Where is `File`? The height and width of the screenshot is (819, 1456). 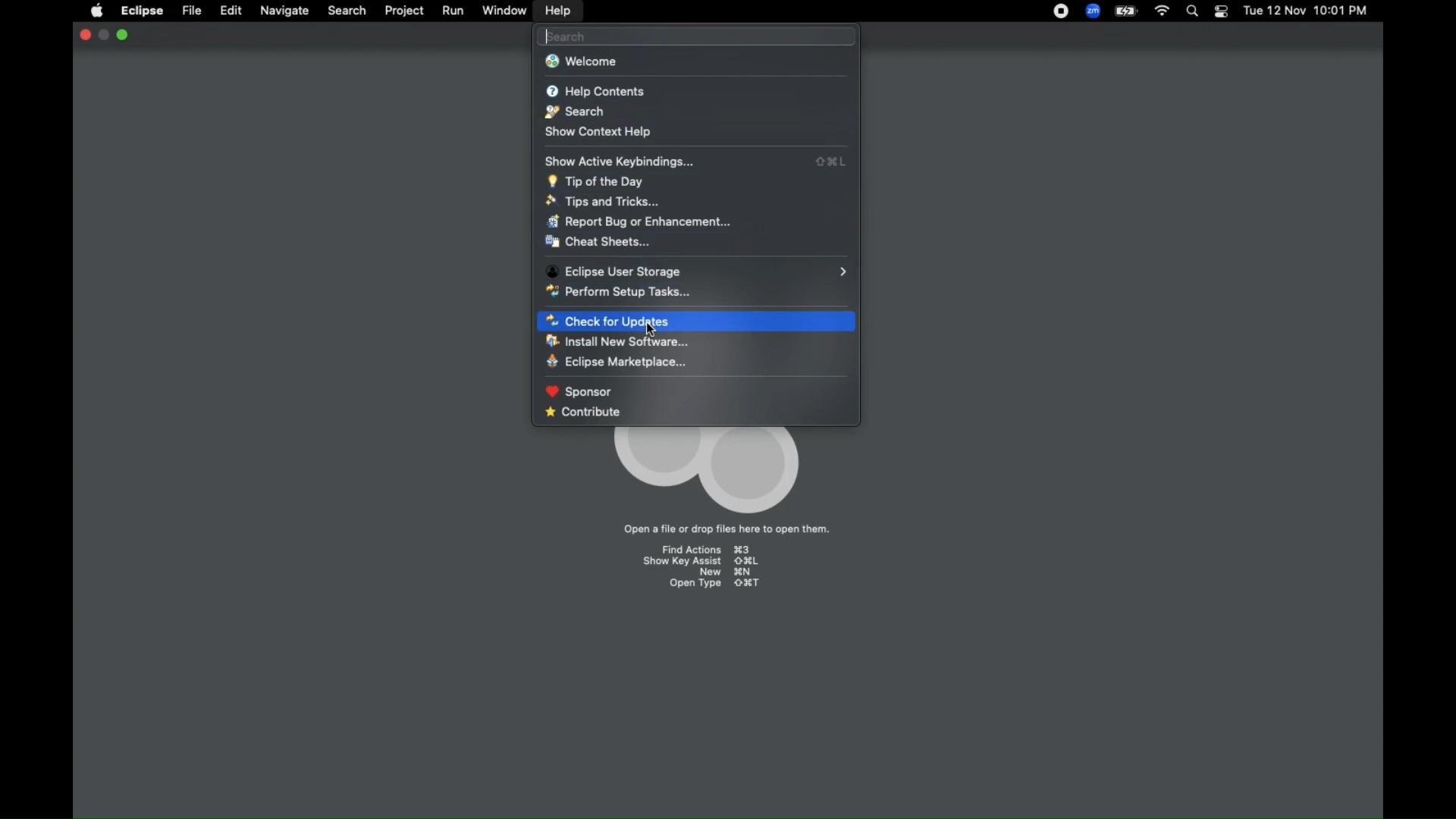
File is located at coordinates (192, 11).